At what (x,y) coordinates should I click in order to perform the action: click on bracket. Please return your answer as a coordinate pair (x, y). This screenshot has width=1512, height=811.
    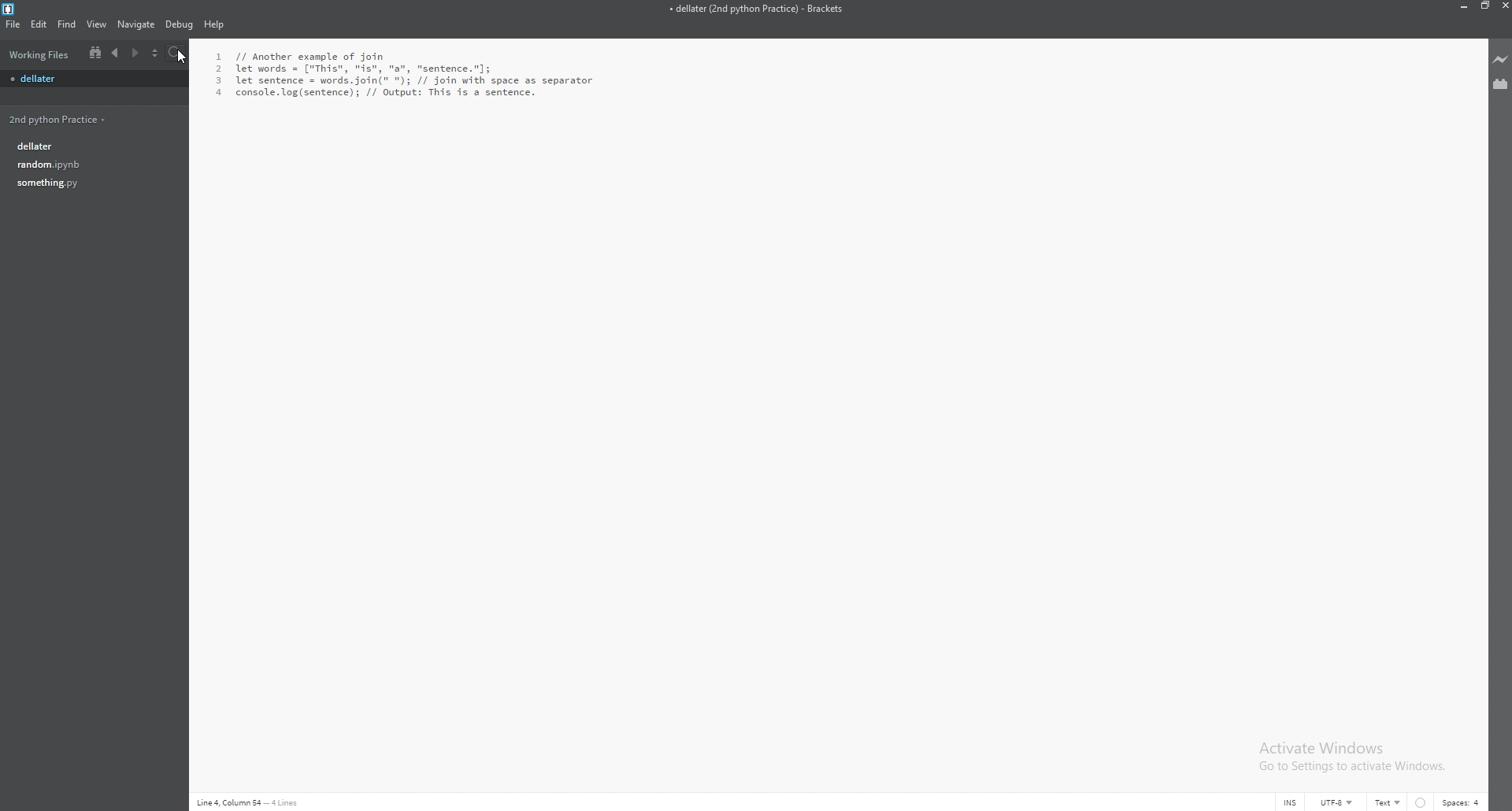
    Looking at the image, I should click on (11, 9).